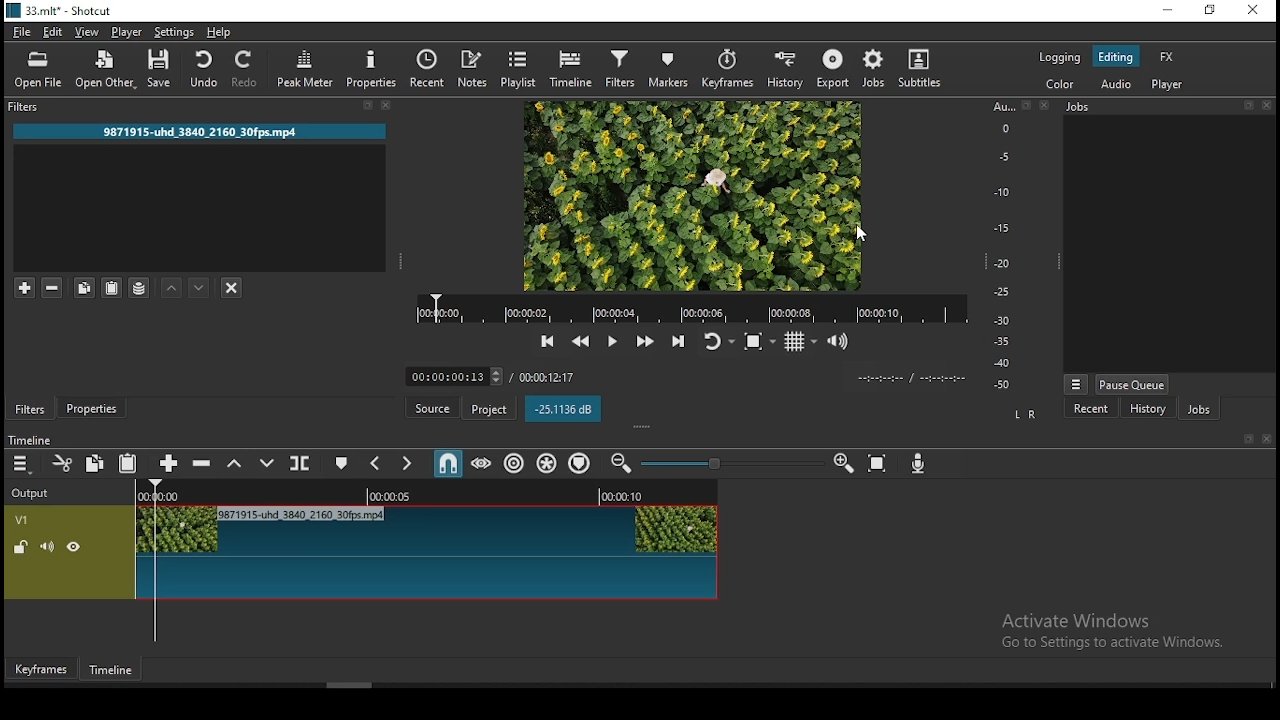 The height and width of the screenshot is (720, 1280). What do you see at coordinates (111, 667) in the screenshot?
I see `timeline` at bounding box center [111, 667].